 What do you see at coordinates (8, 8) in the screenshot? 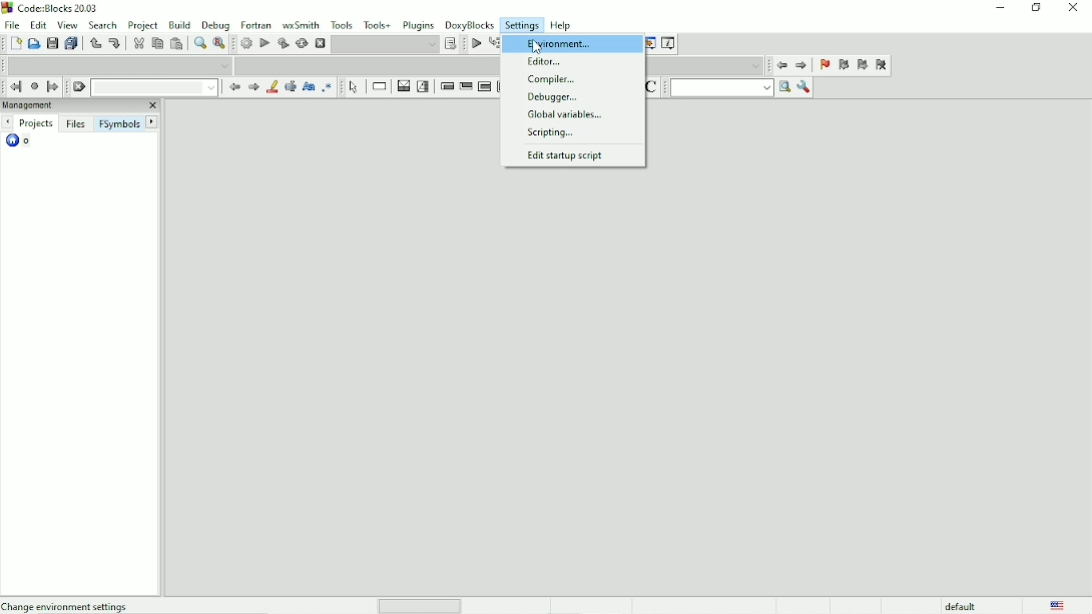
I see `logo` at bounding box center [8, 8].